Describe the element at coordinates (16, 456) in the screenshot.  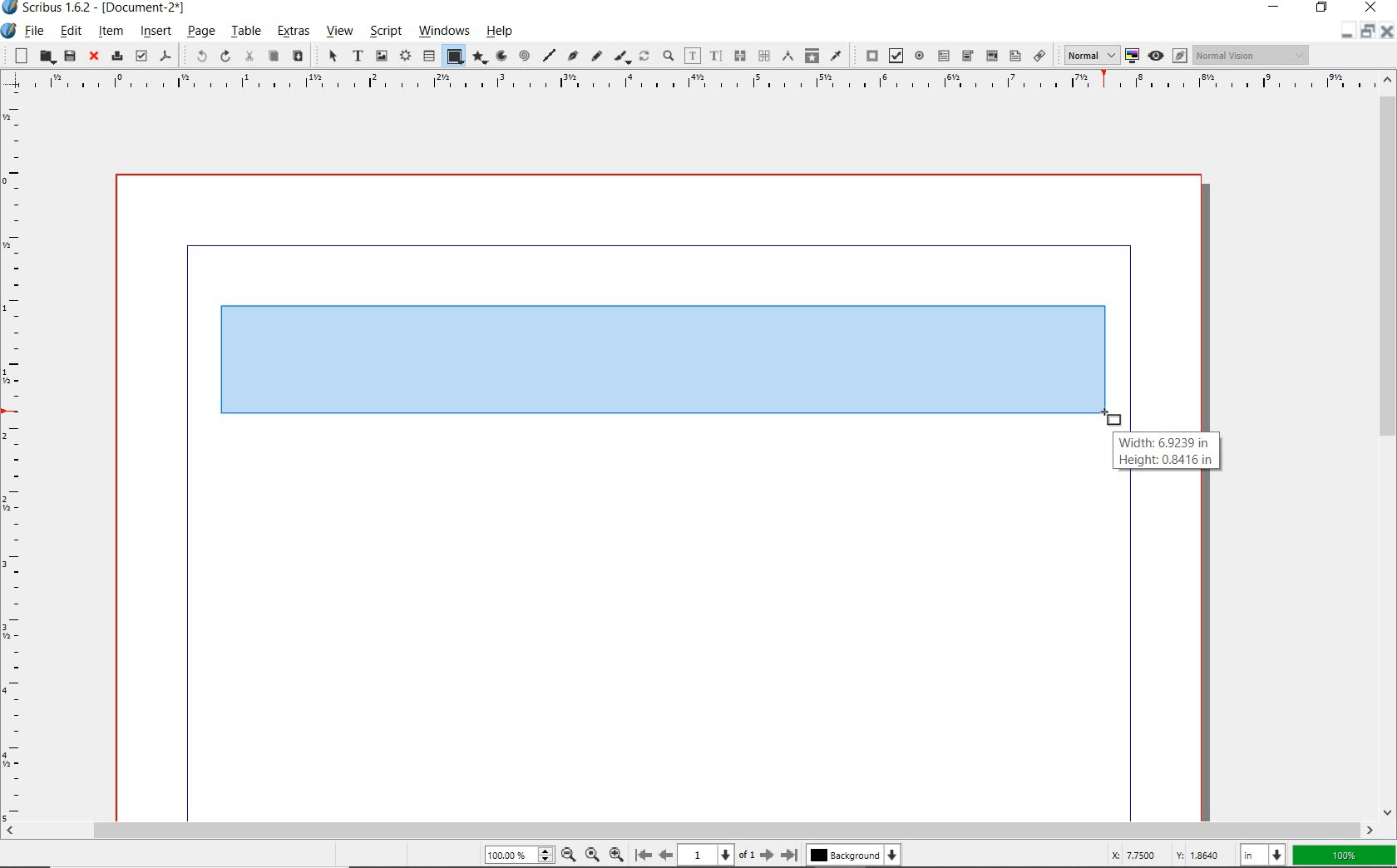
I see `ruler` at that location.